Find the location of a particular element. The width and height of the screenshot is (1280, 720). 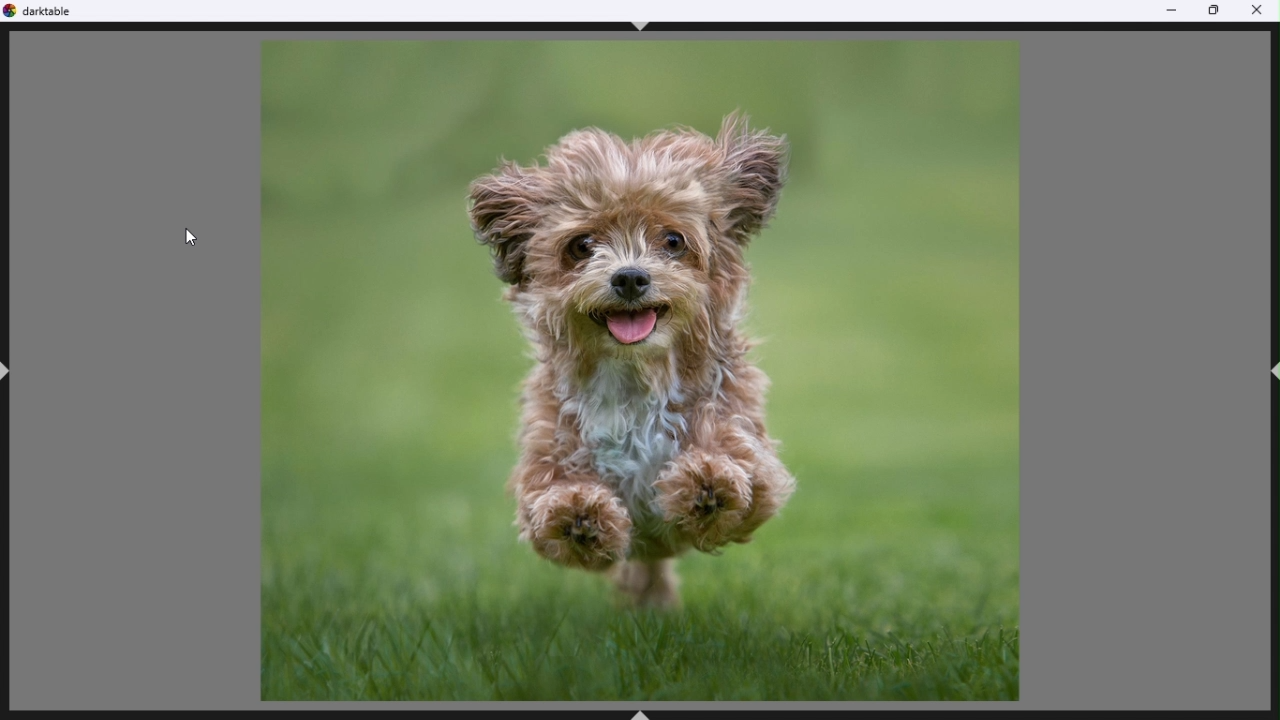

Selected image is located at coordinates (643, 369).